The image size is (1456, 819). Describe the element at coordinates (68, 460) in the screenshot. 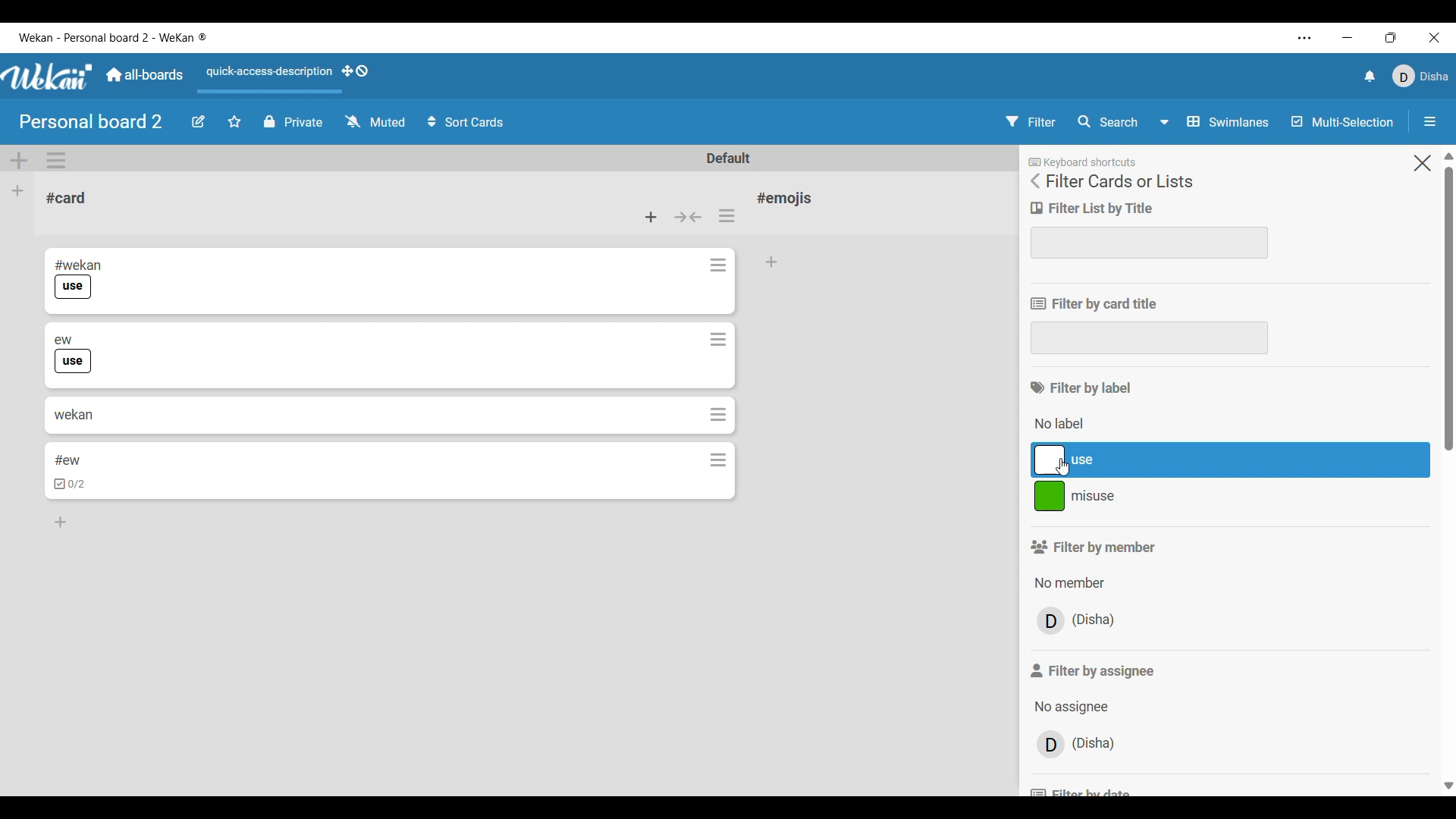

I see `#ew` at that location.